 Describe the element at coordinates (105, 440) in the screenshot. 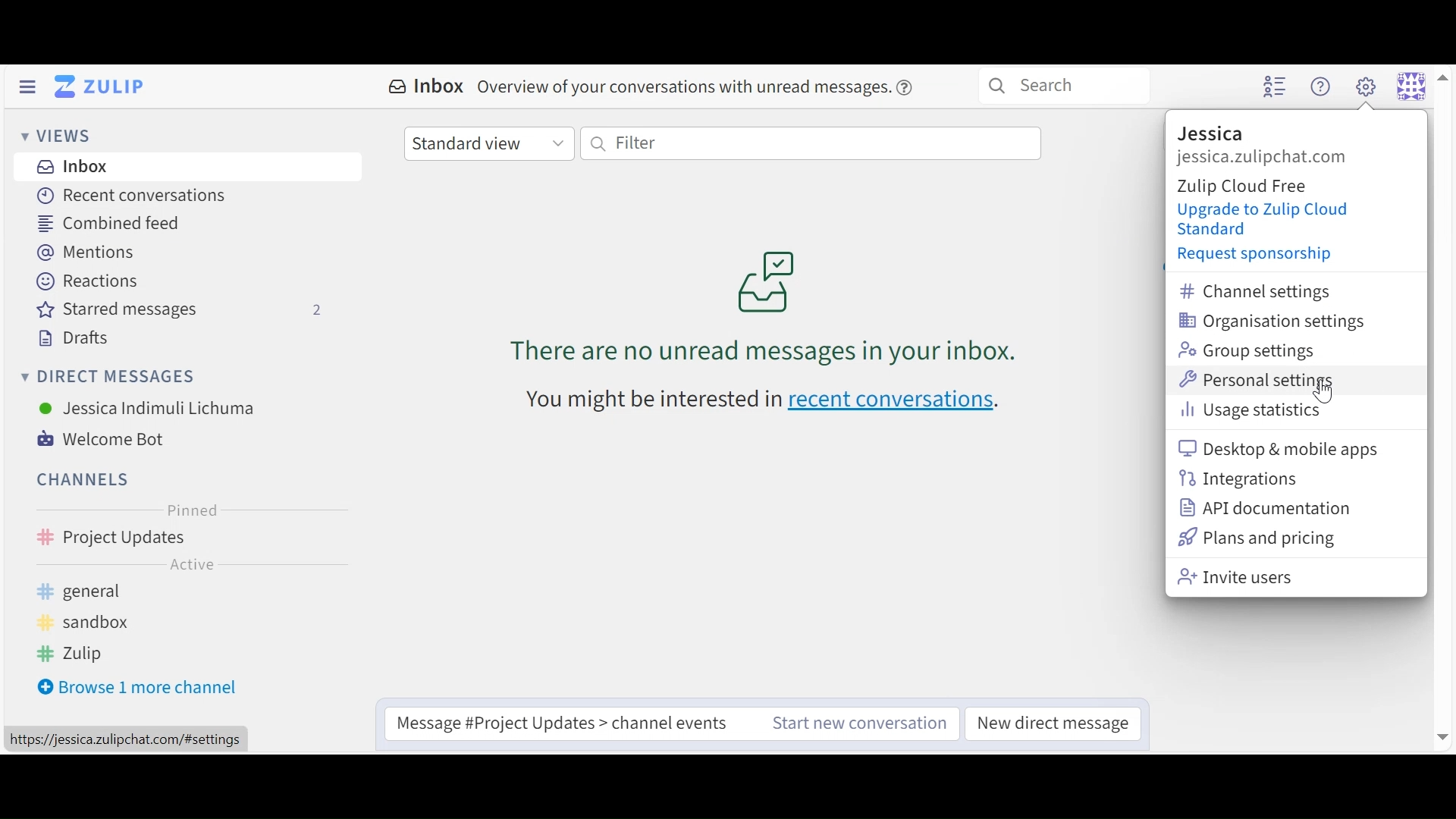

I see `Welcome Bot` at that location.